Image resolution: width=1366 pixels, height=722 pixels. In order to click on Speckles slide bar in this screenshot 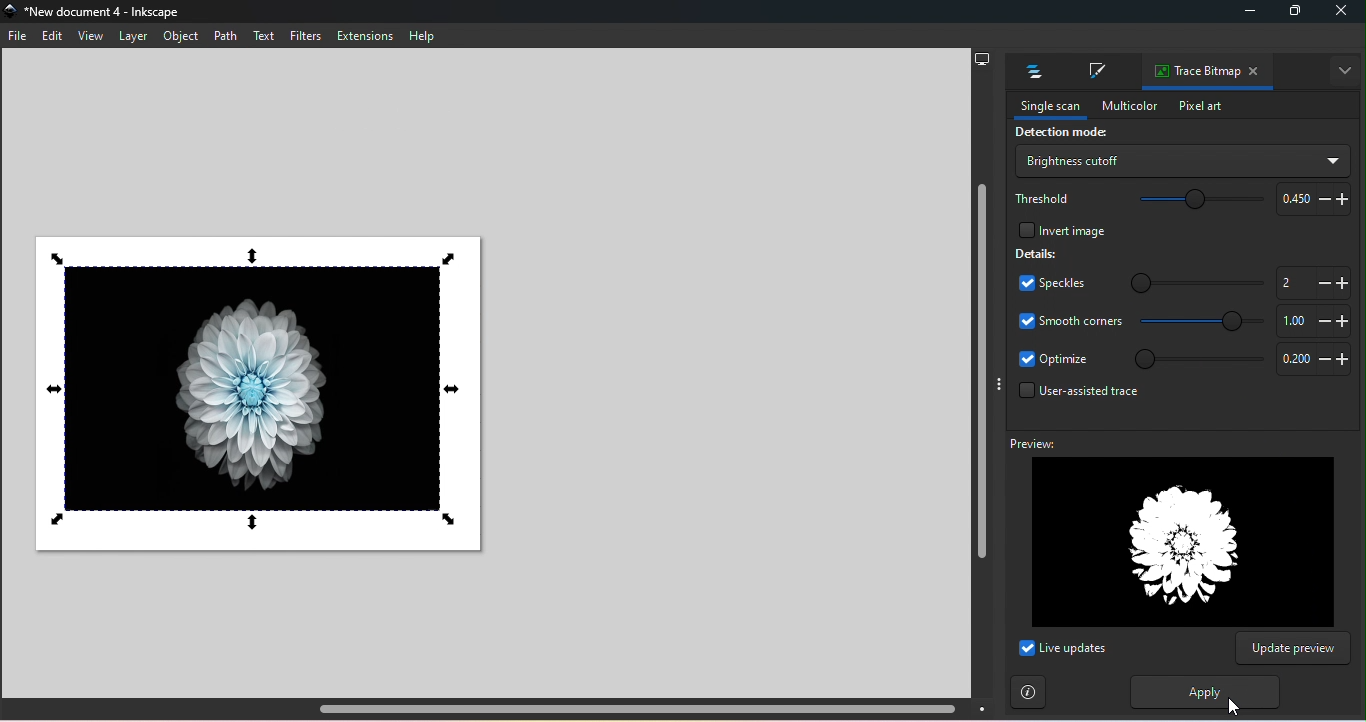, I will do `click(1184, 279)`.